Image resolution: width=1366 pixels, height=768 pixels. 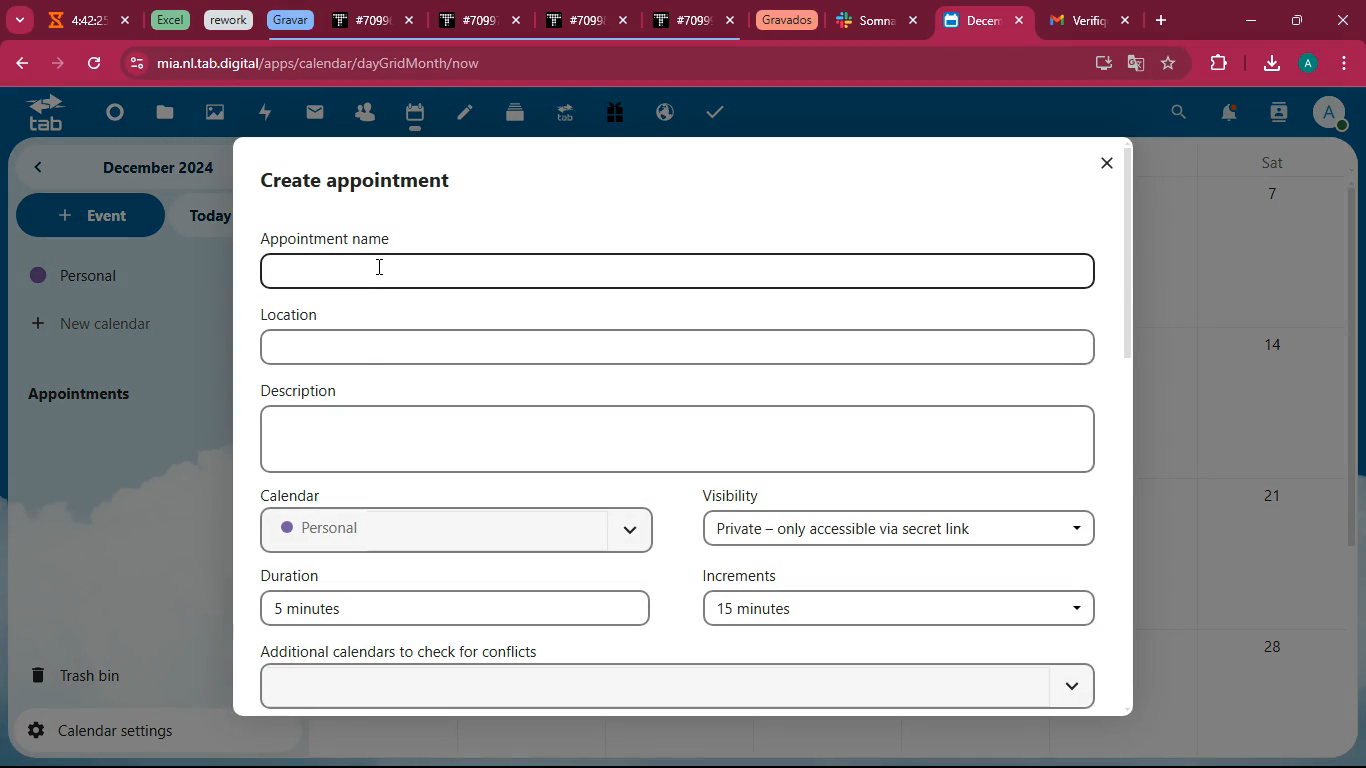 I want to click on mail, so click(x=315, y=113).